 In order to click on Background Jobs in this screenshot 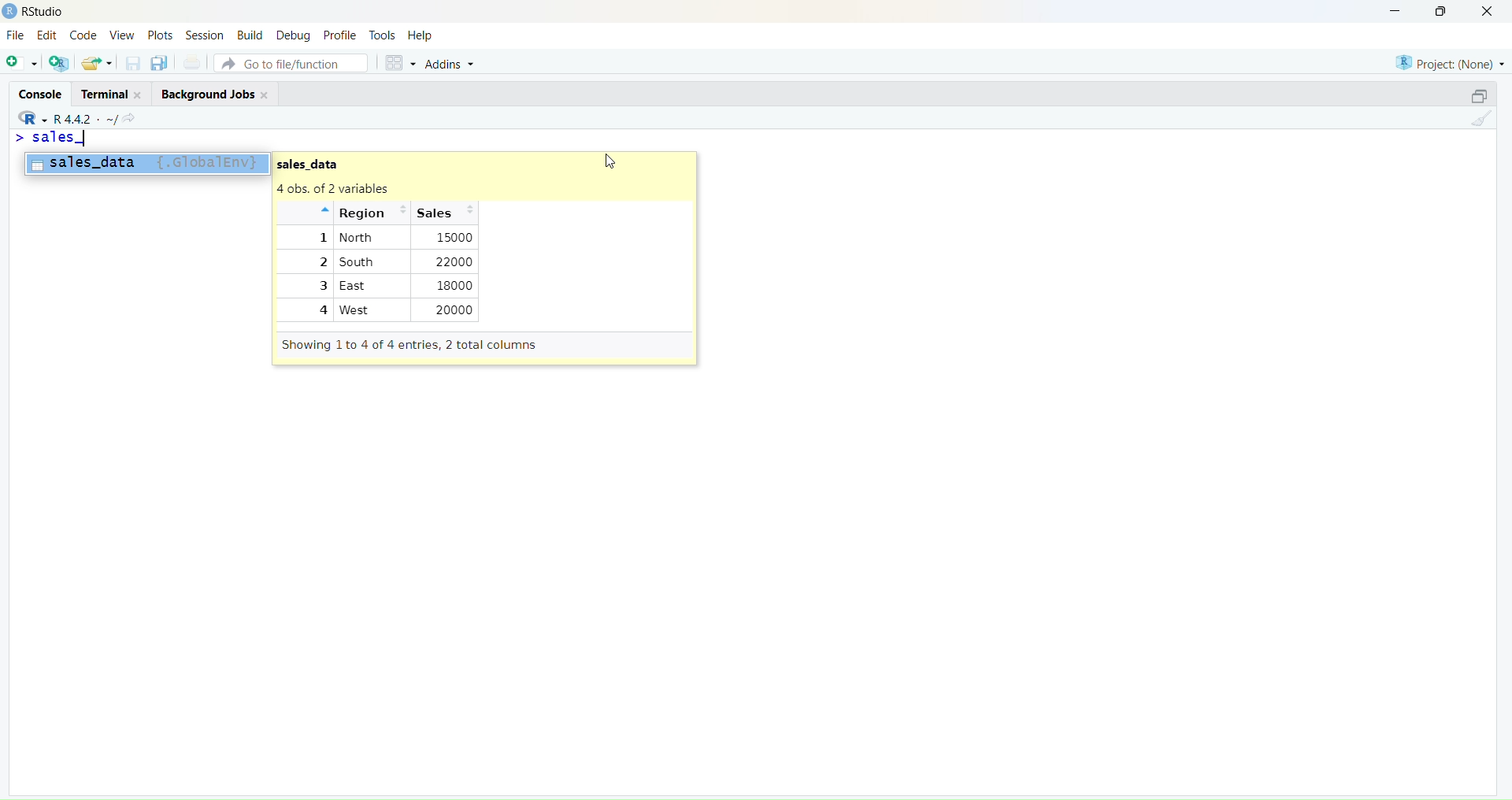, I will do `click(216, 93)`.